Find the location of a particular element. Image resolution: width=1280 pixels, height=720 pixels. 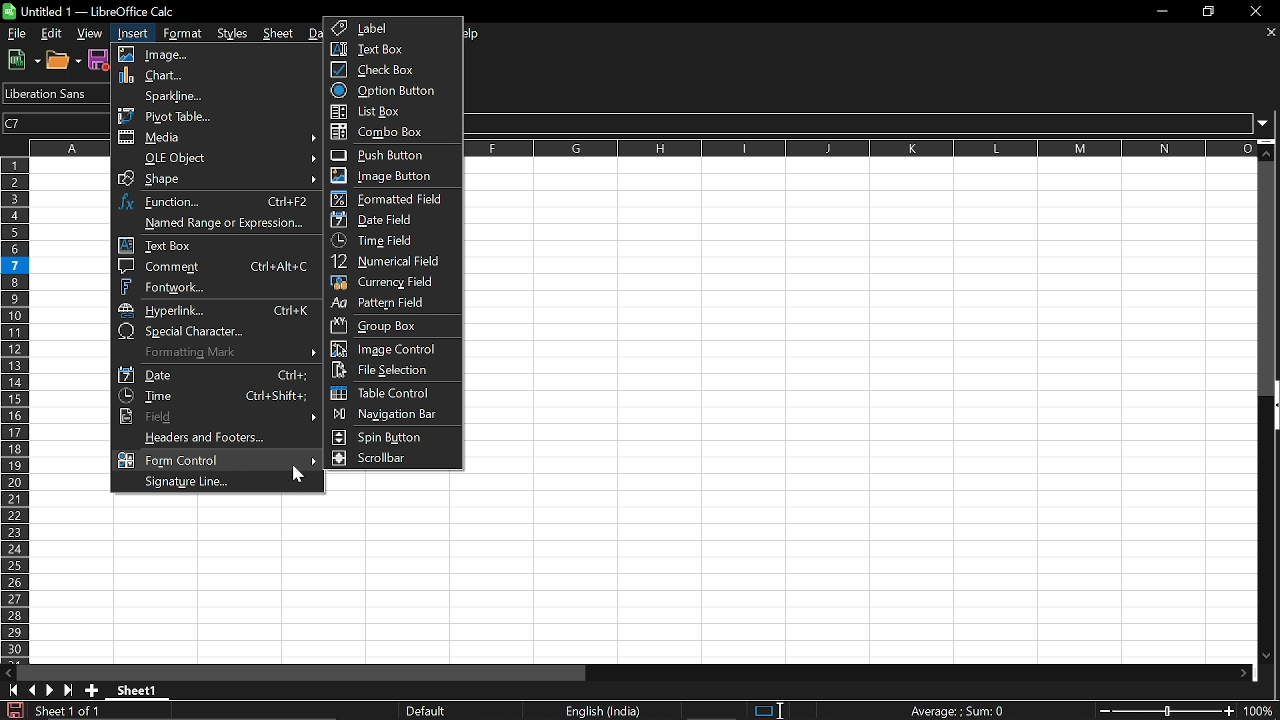

Time field is located at coordinates (387, 241).